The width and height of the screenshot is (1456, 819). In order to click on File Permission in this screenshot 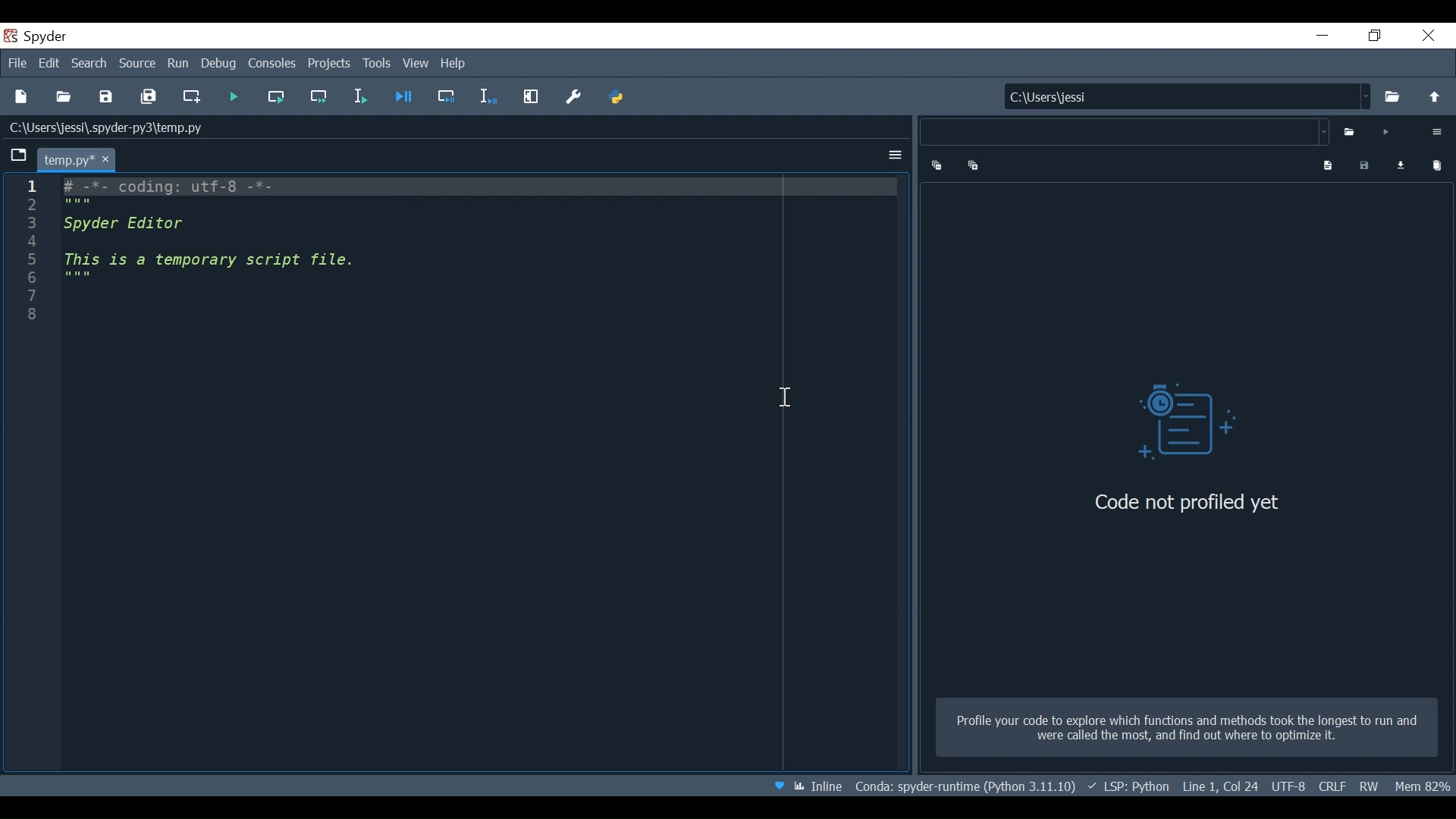, I will do `click(1367, 785)`.